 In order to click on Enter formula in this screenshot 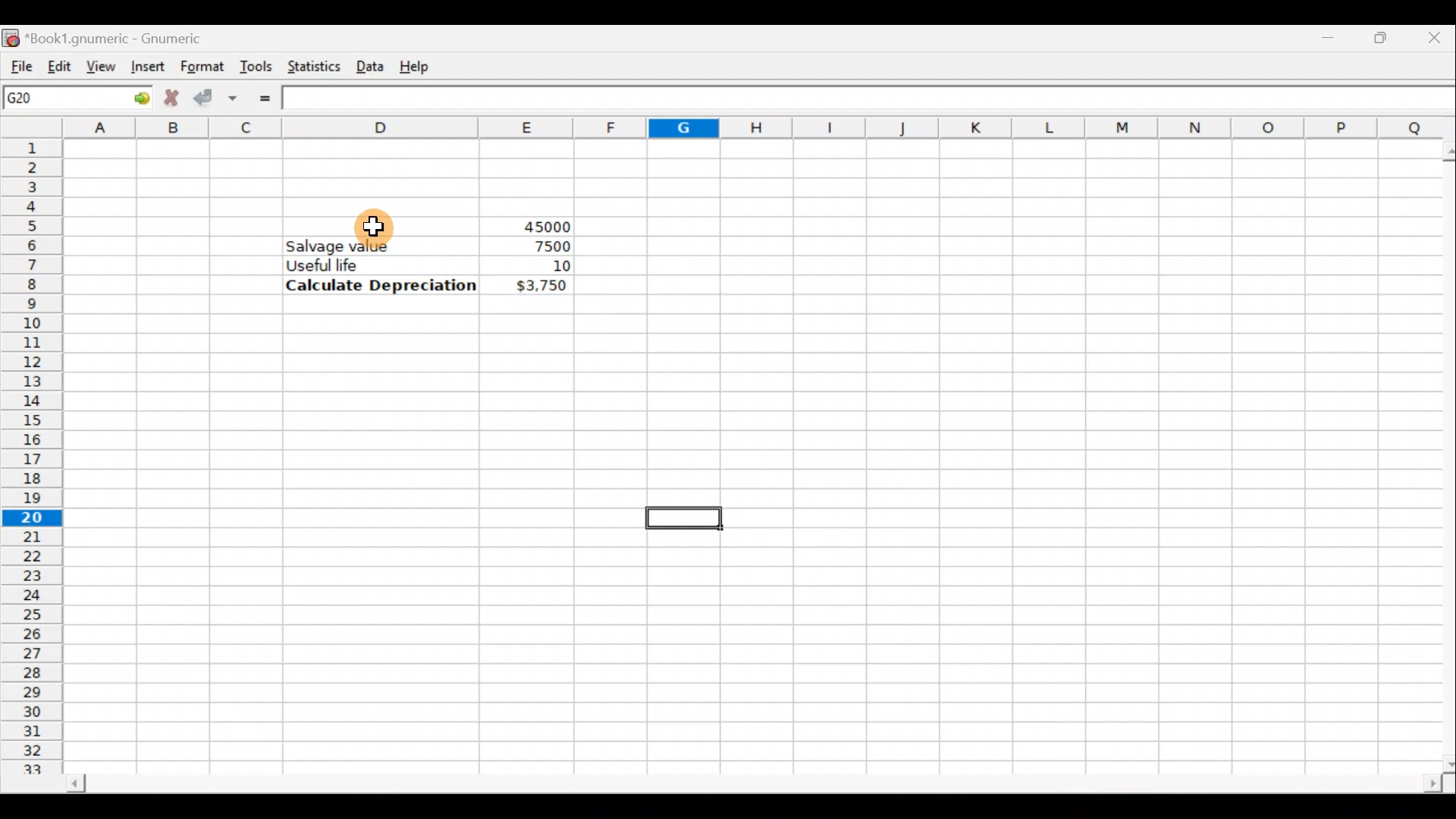, I will do `click(265, 99)`.